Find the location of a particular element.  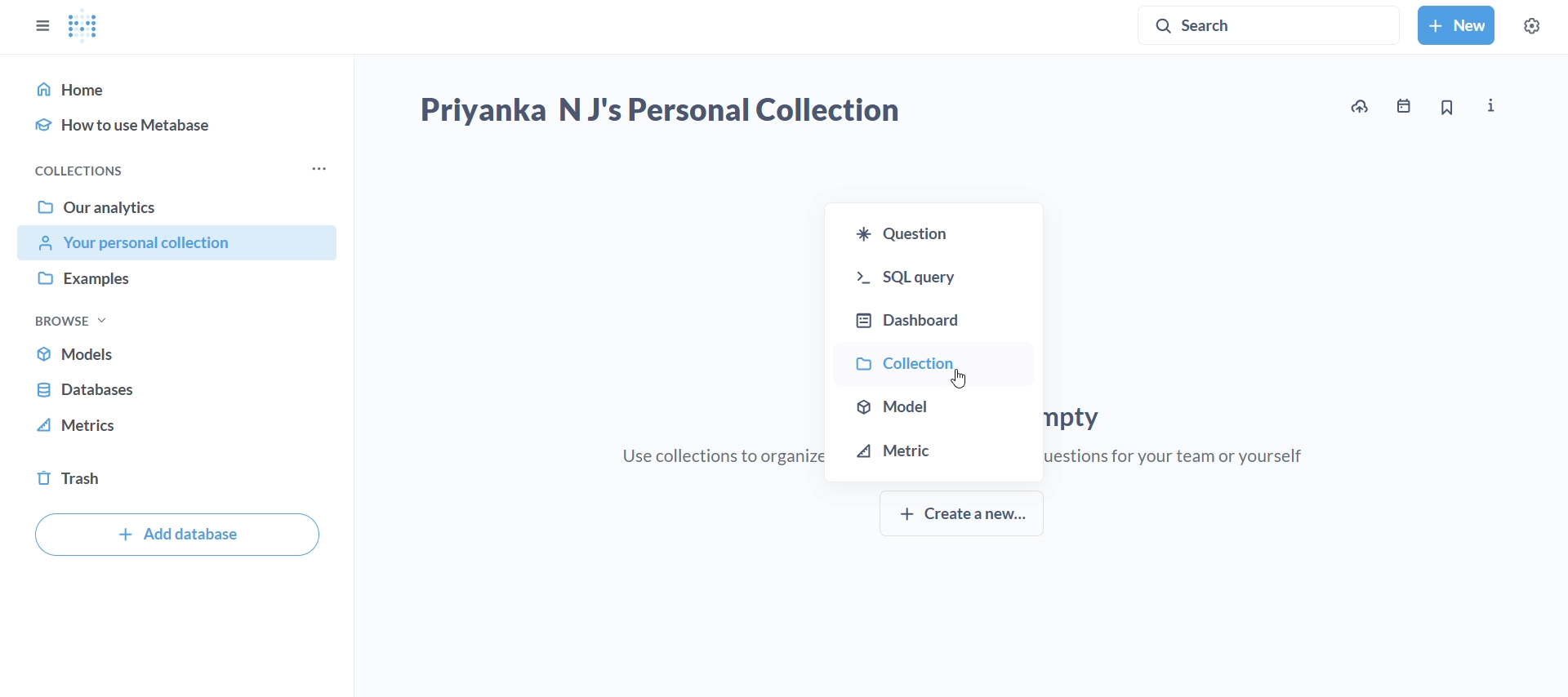

dashboard is located at coordinates (934, 313).